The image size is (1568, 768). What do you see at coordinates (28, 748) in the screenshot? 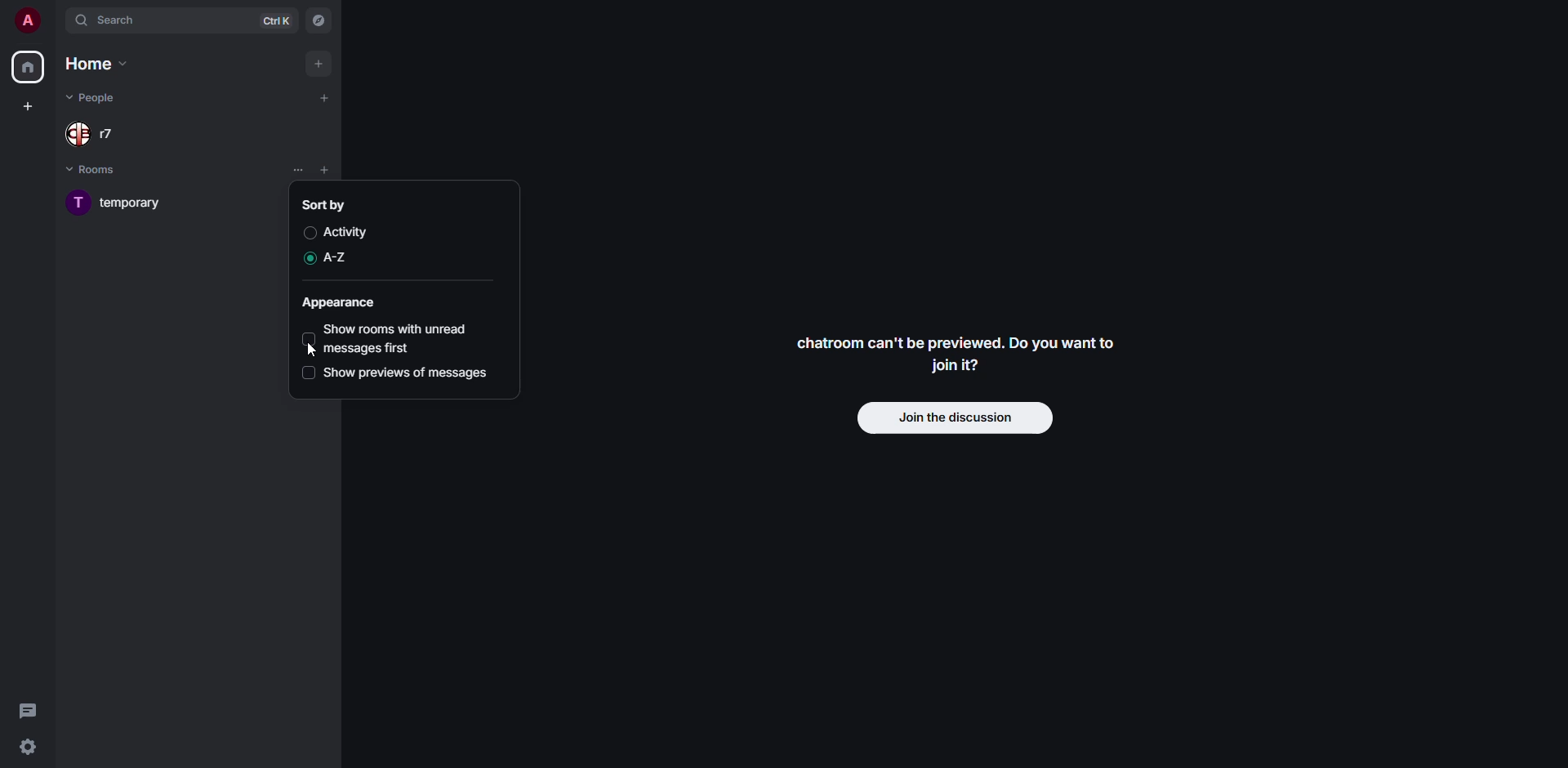
I see `quick settings` at bounding box center [28, 748].